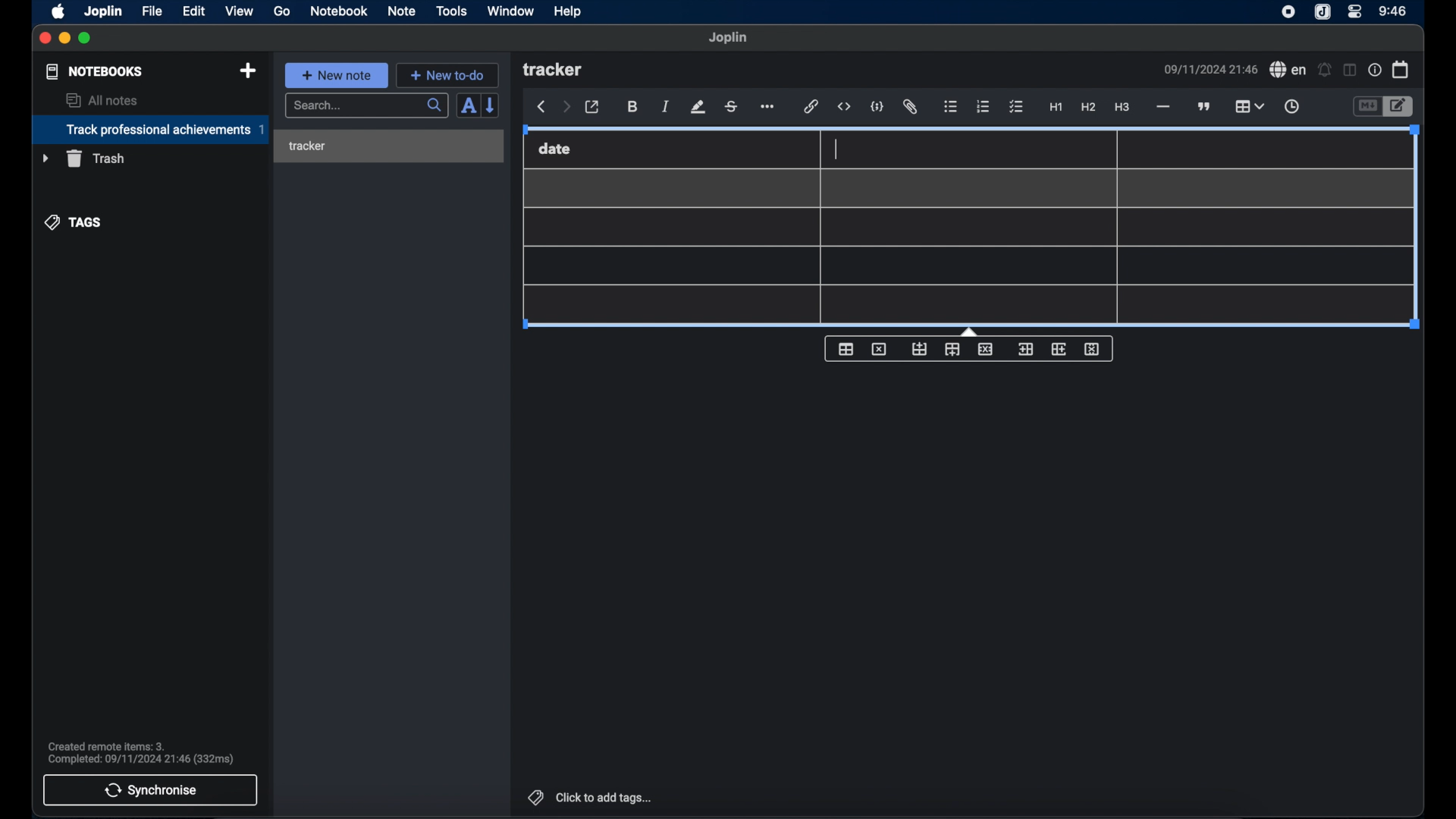  Describe the element at coordinates (59, 11) in the screenshot. I see `apple icon` at that location.